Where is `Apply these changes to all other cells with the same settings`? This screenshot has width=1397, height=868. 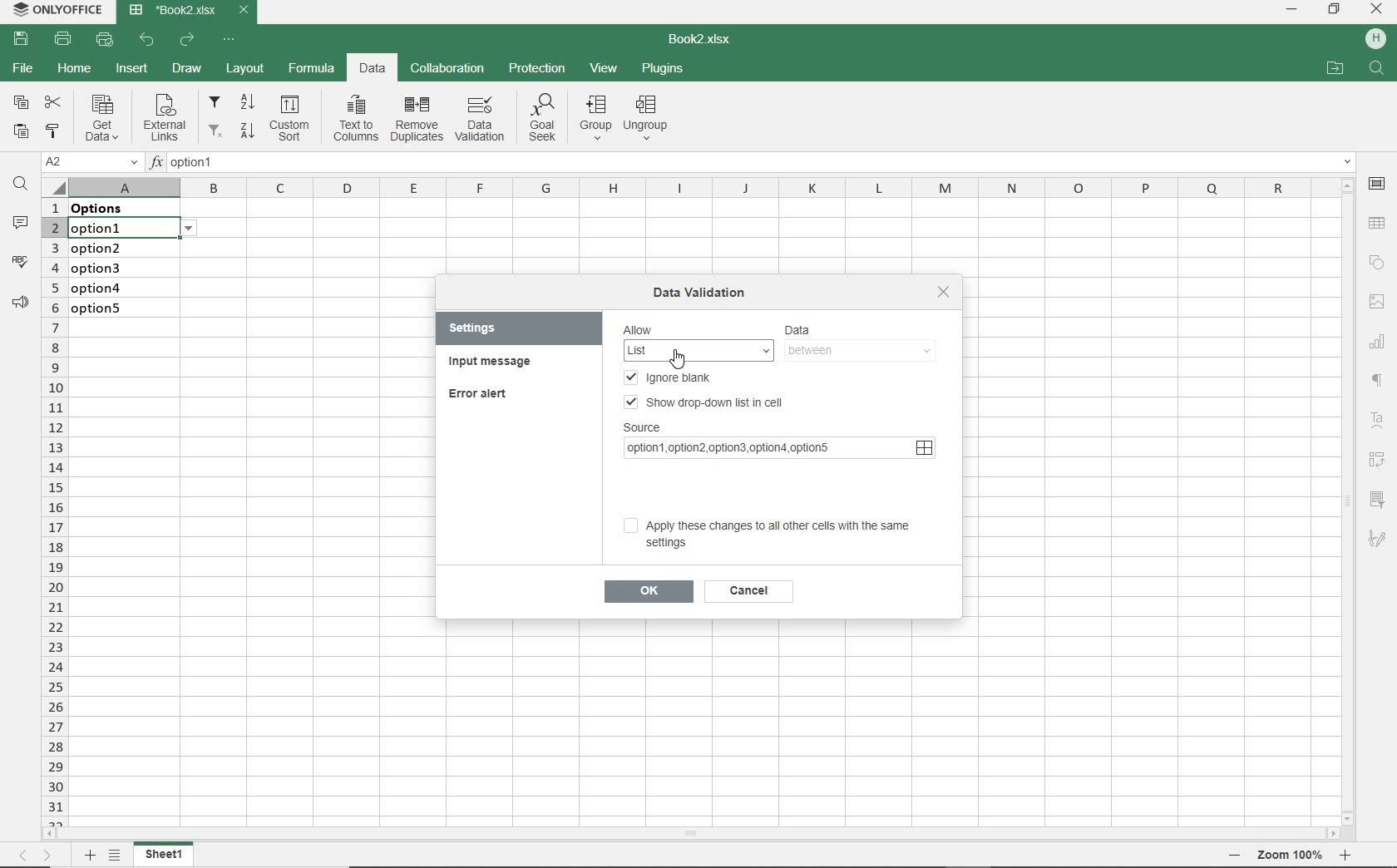
Apply these changes to all other cells with the same settings is located at coordinates (774, 533).